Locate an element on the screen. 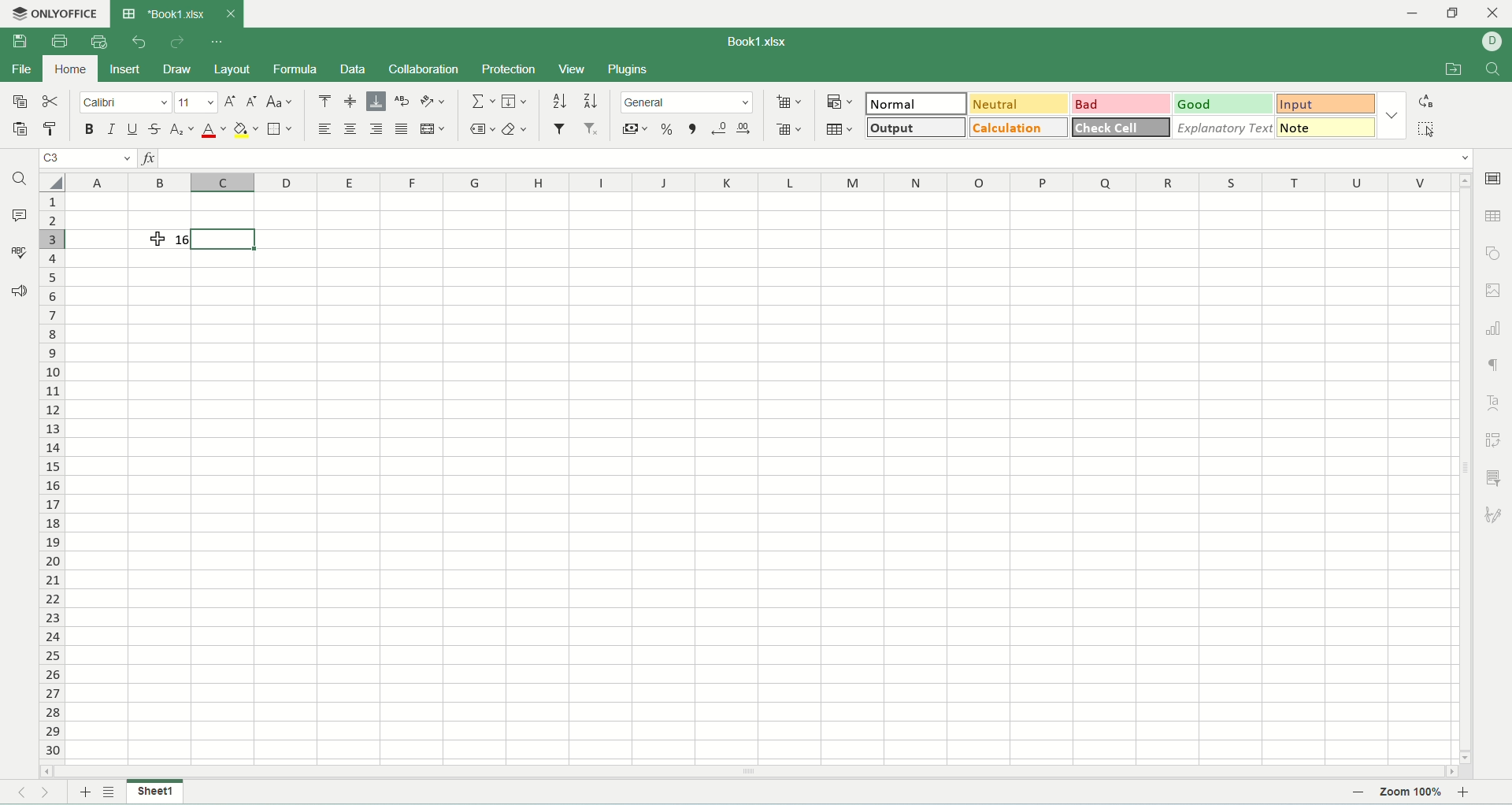 This screenshot has height=805, width=1512. insert is located at coordinates (125, 71).